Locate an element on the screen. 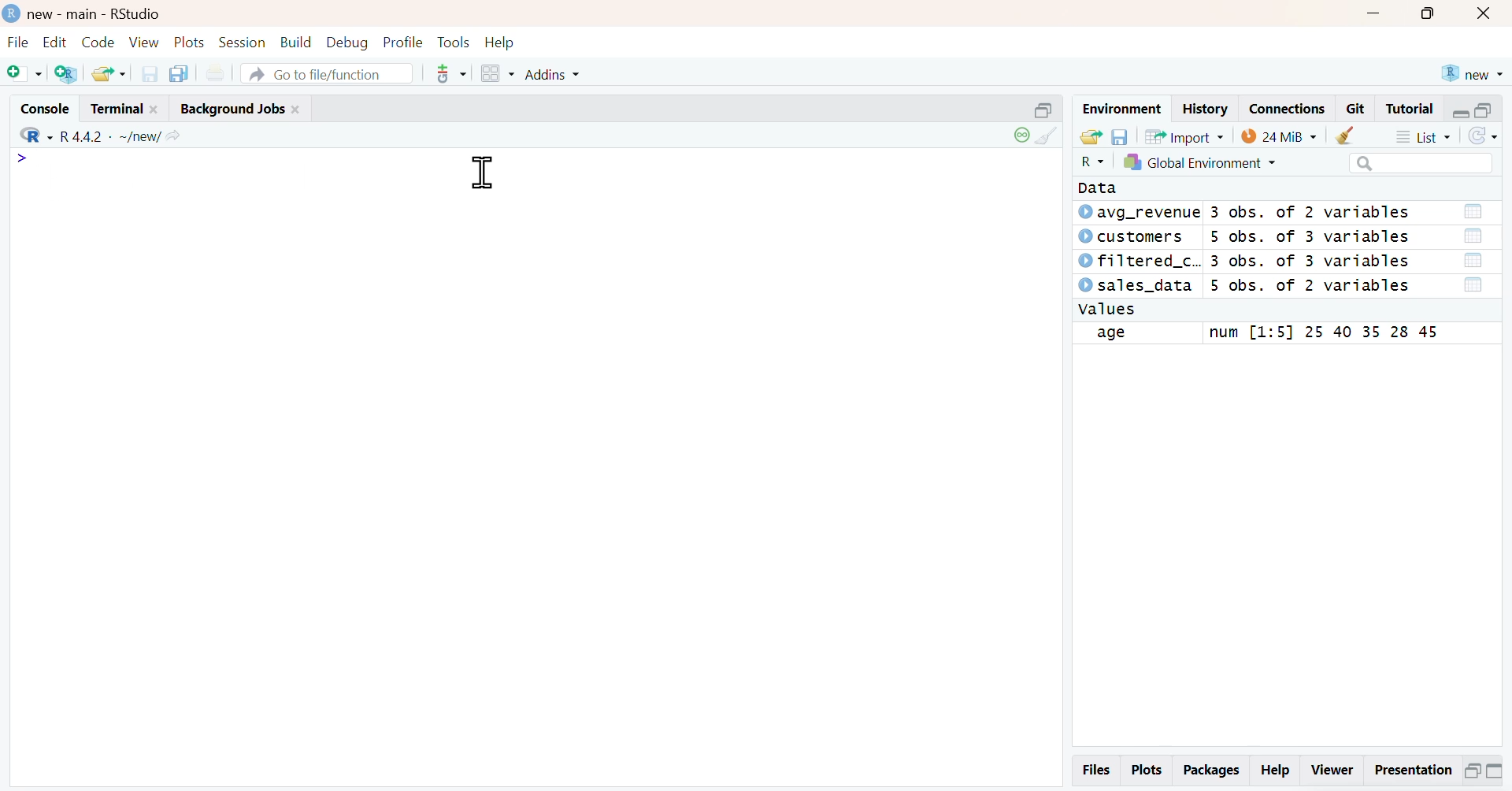 This screenshot has width=1512, height=791. Go to file/function is located at coordinates (328, 73).